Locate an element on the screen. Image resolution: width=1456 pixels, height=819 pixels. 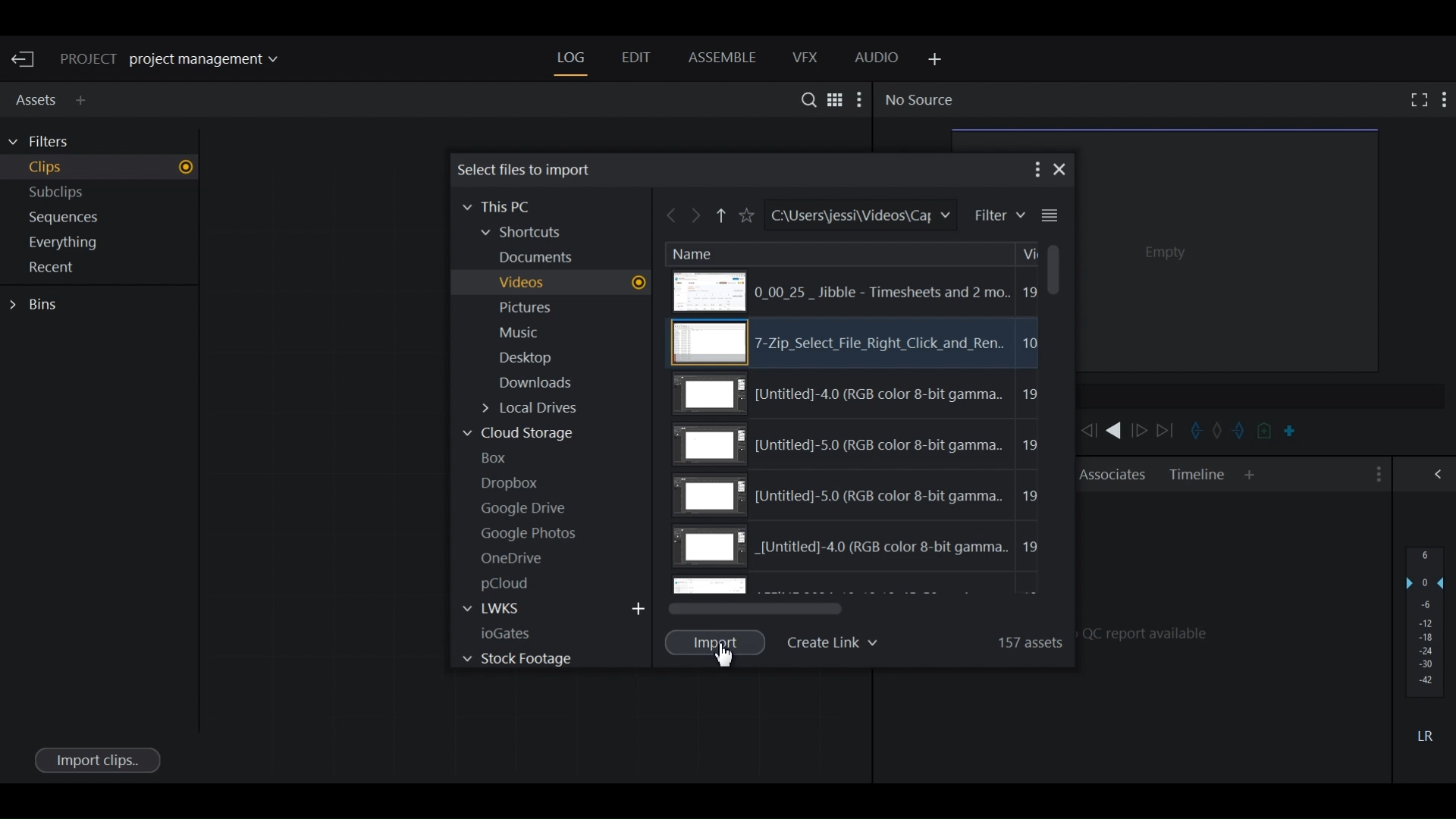
pCloud is located at coordinates (513, 583).